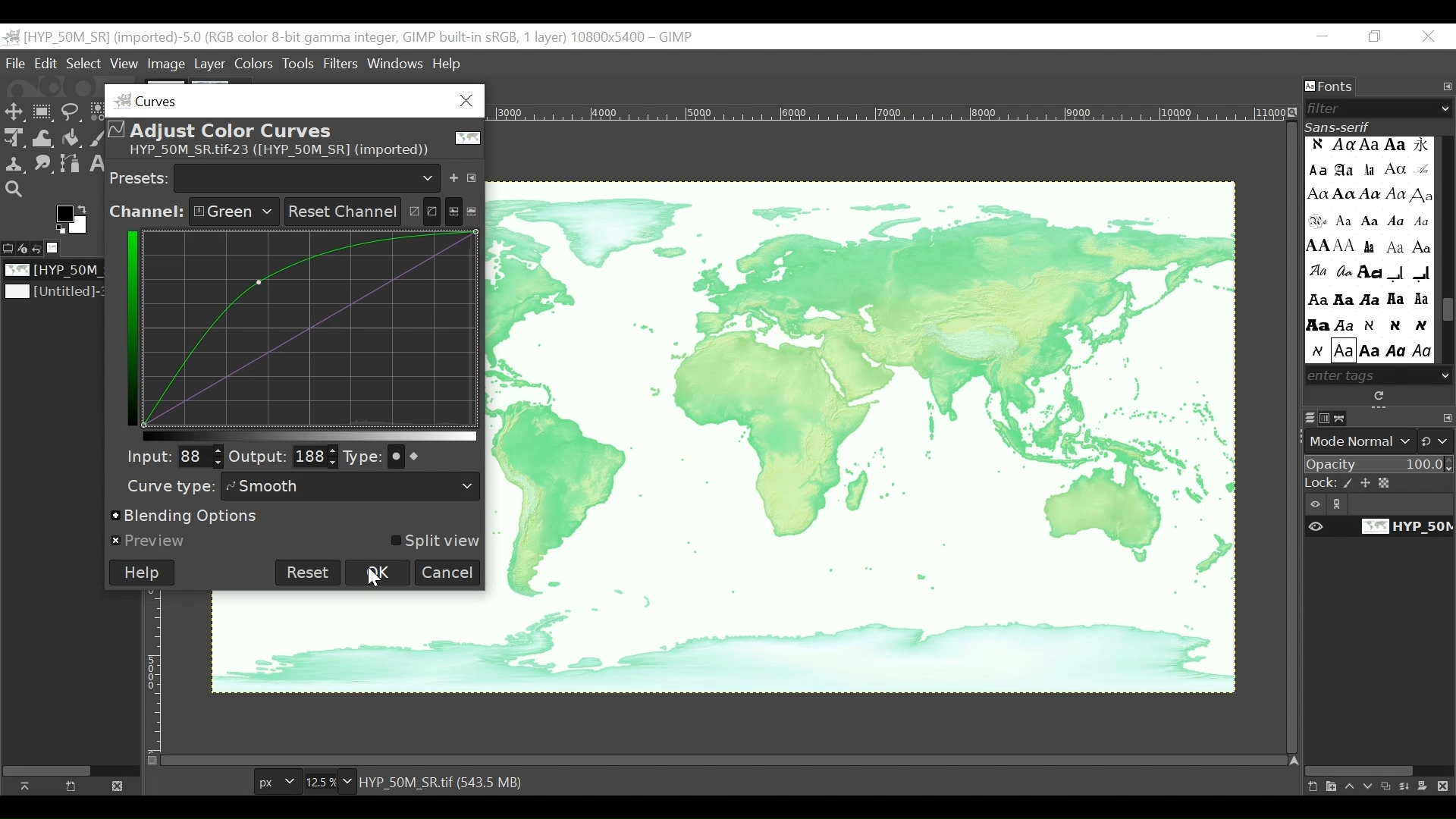 The image size is (1456, 819). I want to click on Item Visibility of the image, so click(1376, 527).